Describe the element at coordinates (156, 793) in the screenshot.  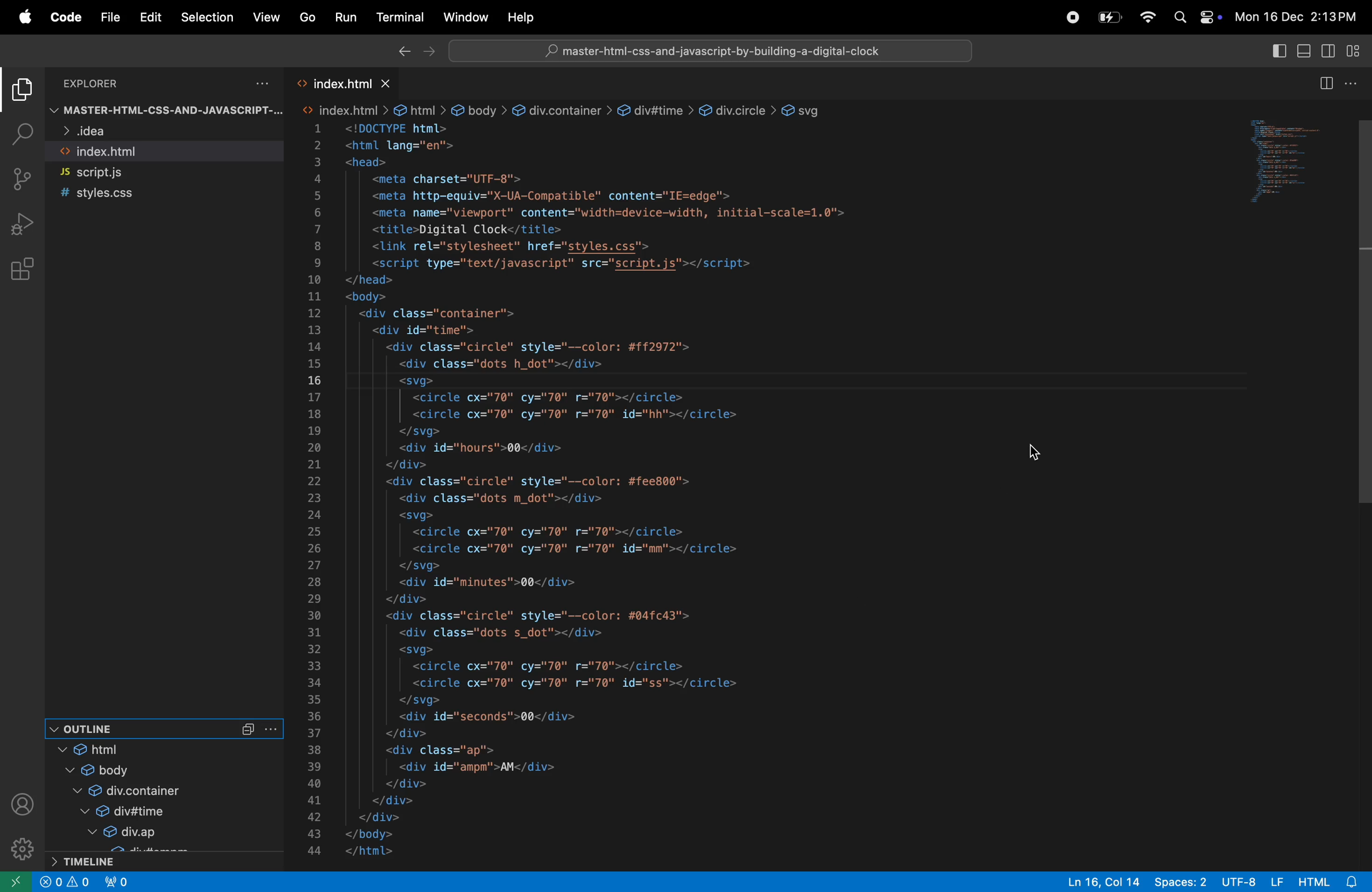
I see `div cointainer` at that location.